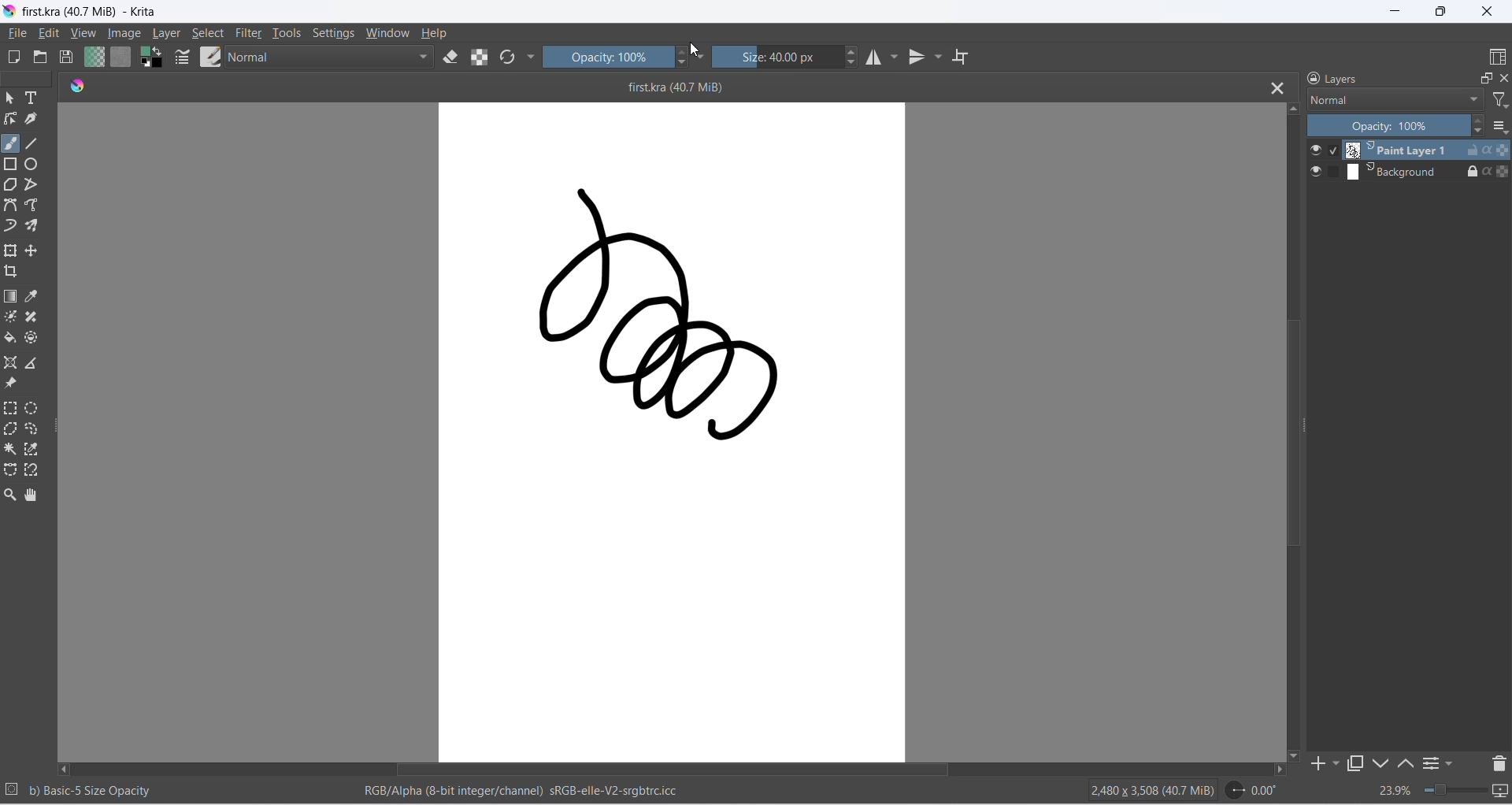  What do you see at coordinates (938, 57) in the screenshot?
I see `vertical mirror options dropdown button` at bounding box center [938, 57].